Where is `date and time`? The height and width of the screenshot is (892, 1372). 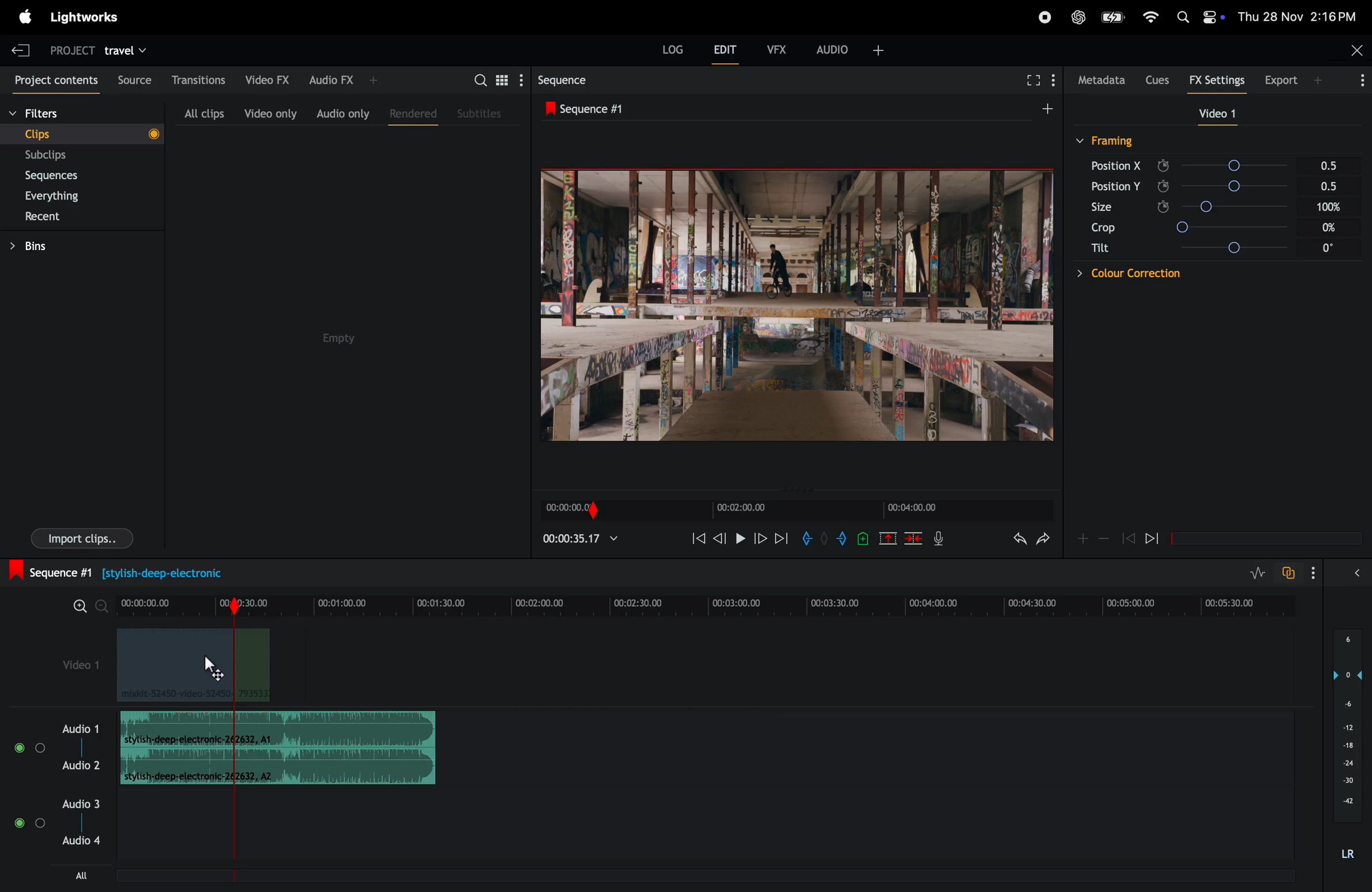 date and time is located at coordinates (1302, 16).